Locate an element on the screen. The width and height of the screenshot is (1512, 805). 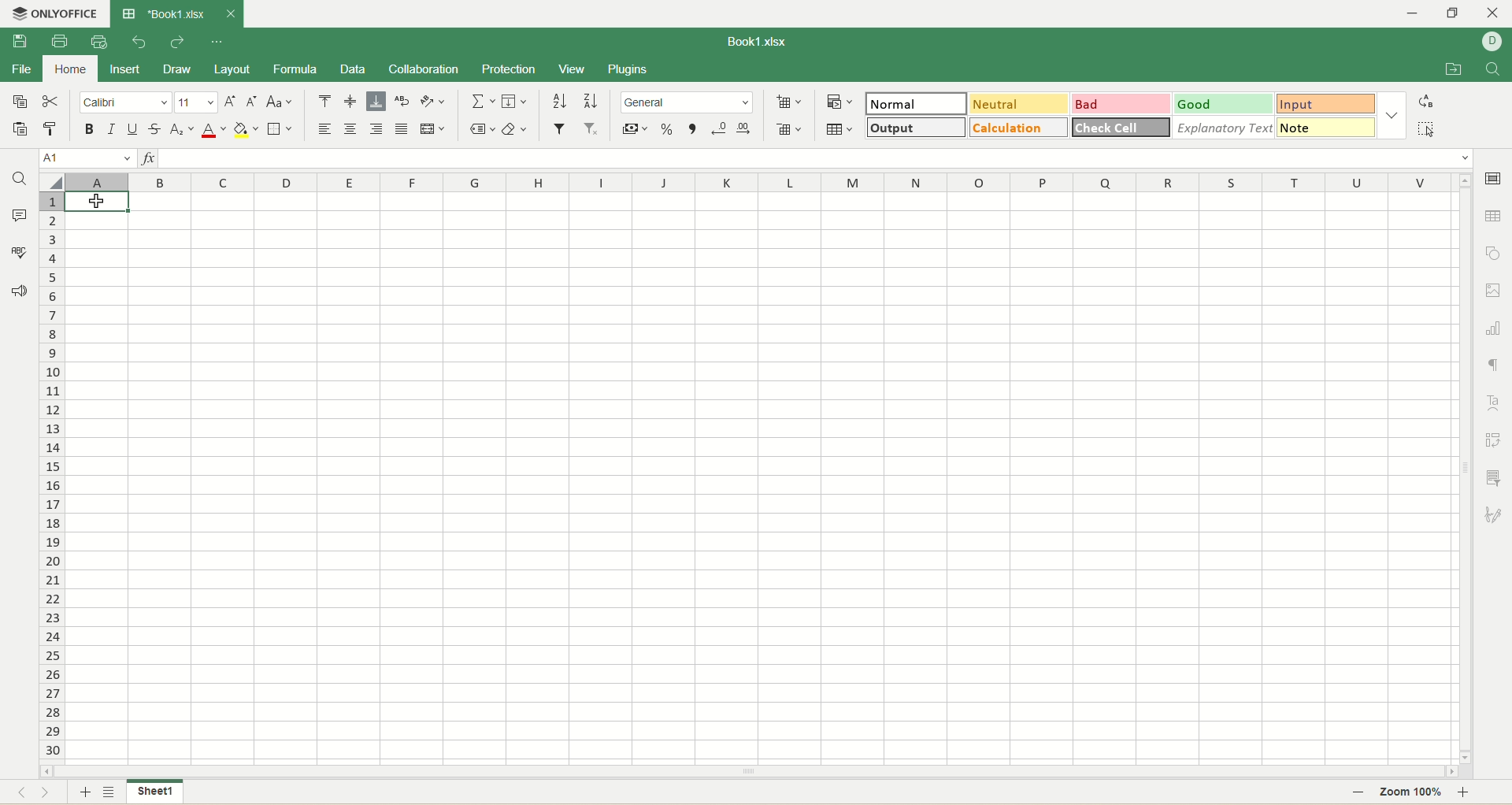
cut is located at coordinates (54, 101).